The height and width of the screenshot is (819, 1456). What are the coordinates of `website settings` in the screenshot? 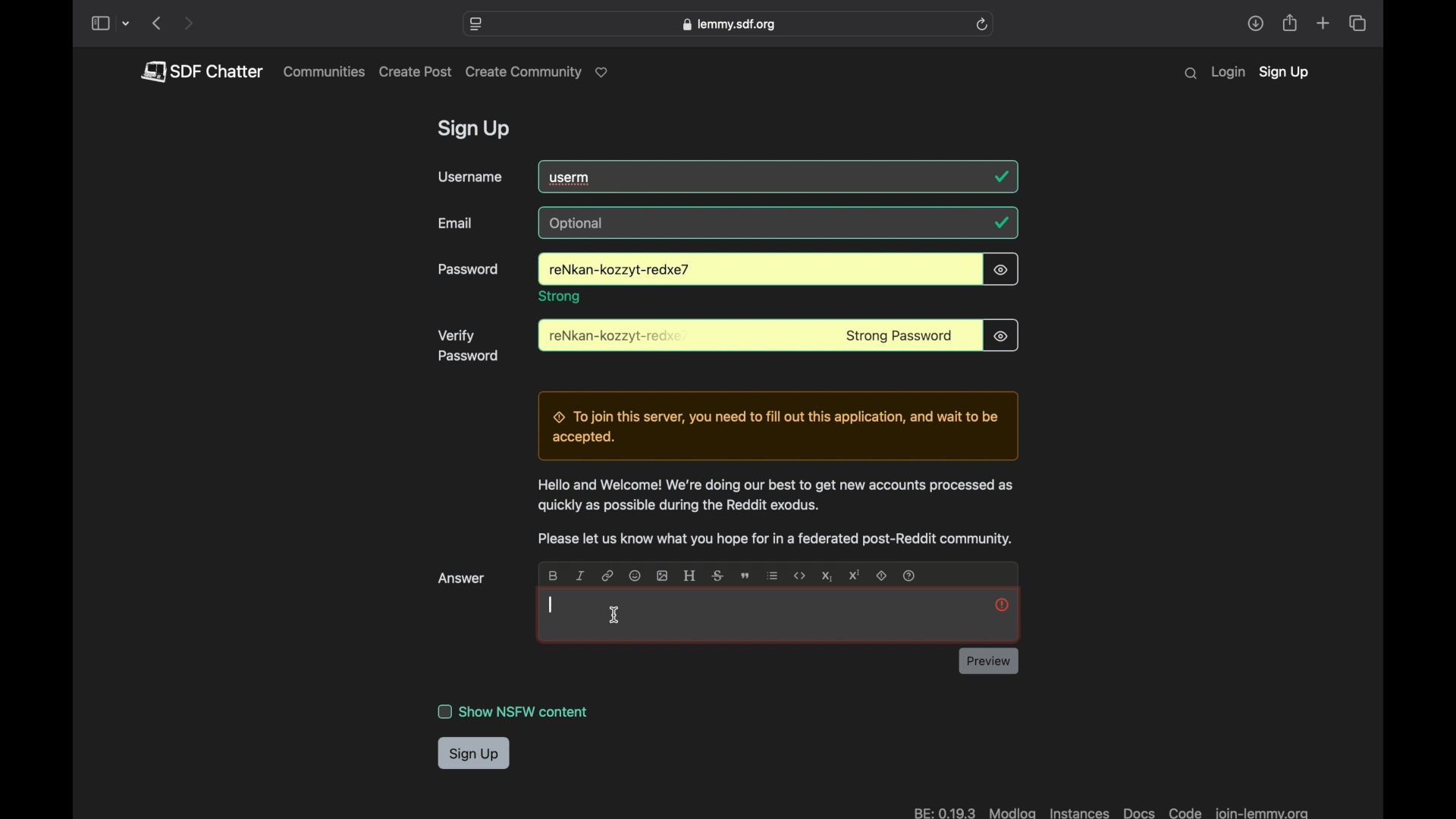 It's located at (477, 24).